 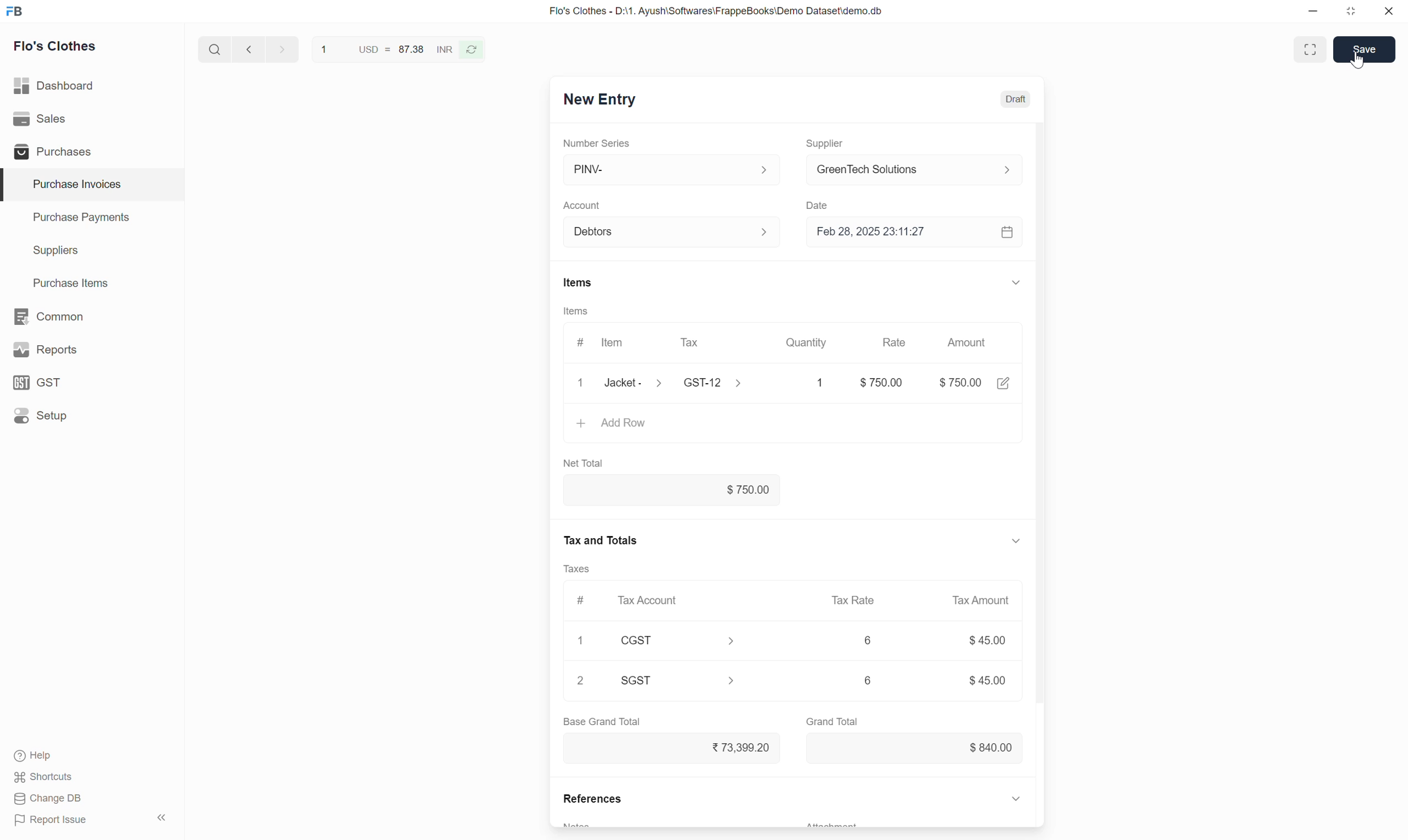 I want to click on SGST, so click(x=679, y=680).